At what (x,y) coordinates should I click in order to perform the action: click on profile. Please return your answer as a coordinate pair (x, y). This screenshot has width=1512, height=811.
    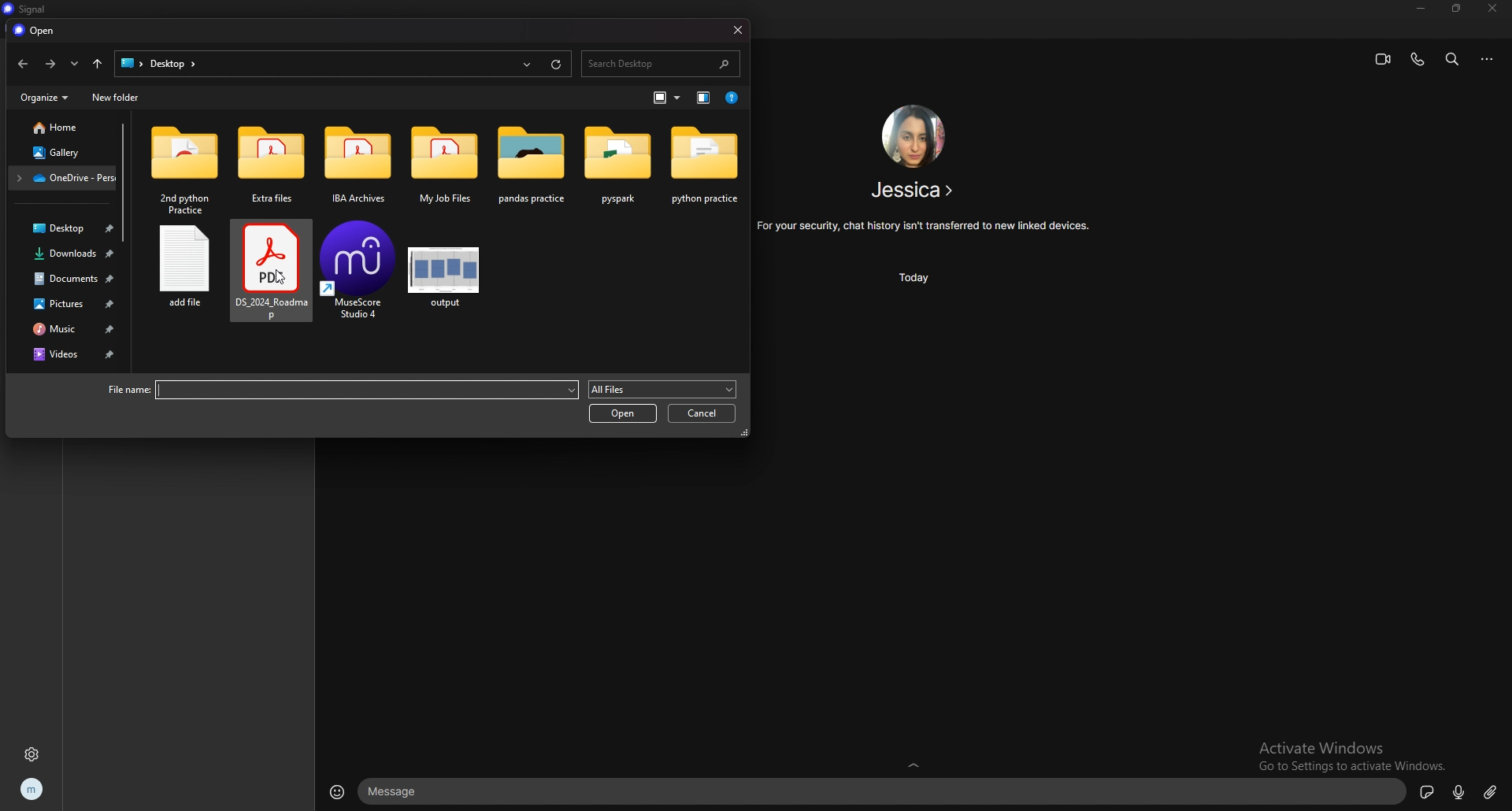
    Looking at the image, I should click on (32, 791).